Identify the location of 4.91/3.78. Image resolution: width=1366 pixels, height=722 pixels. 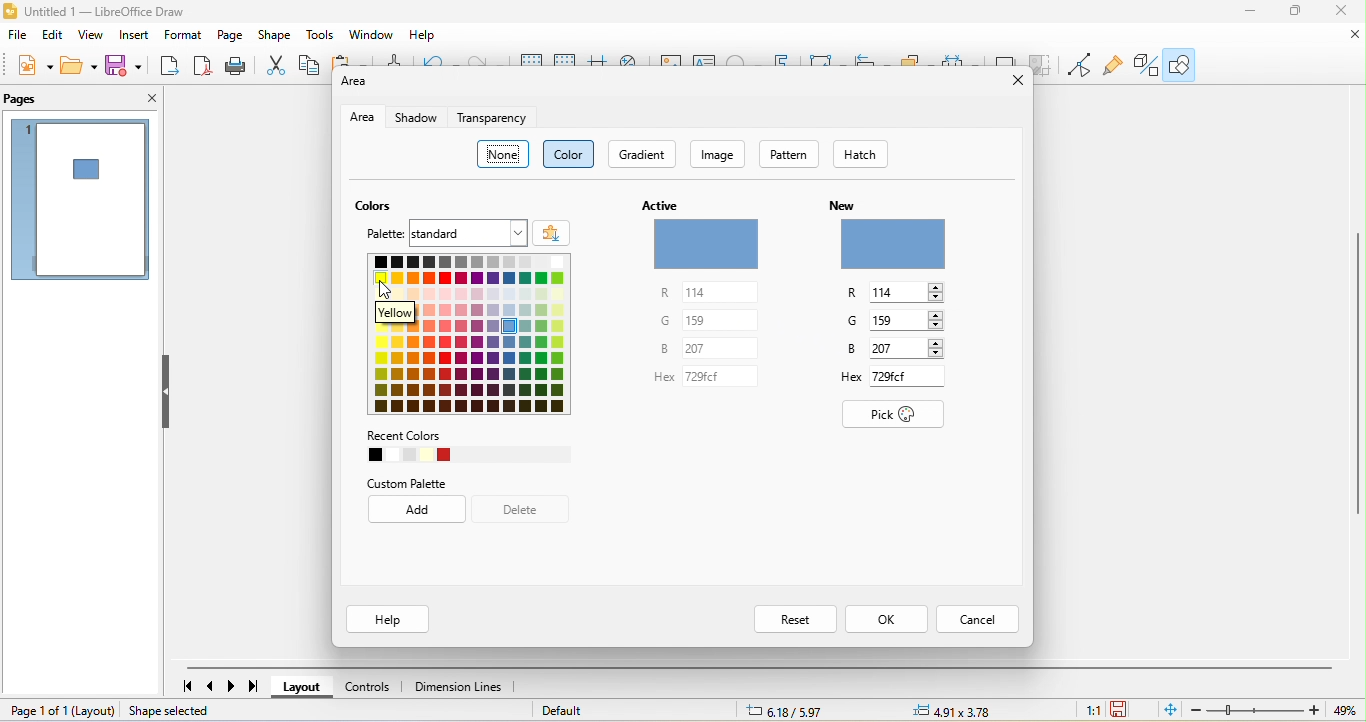
(954, 711).